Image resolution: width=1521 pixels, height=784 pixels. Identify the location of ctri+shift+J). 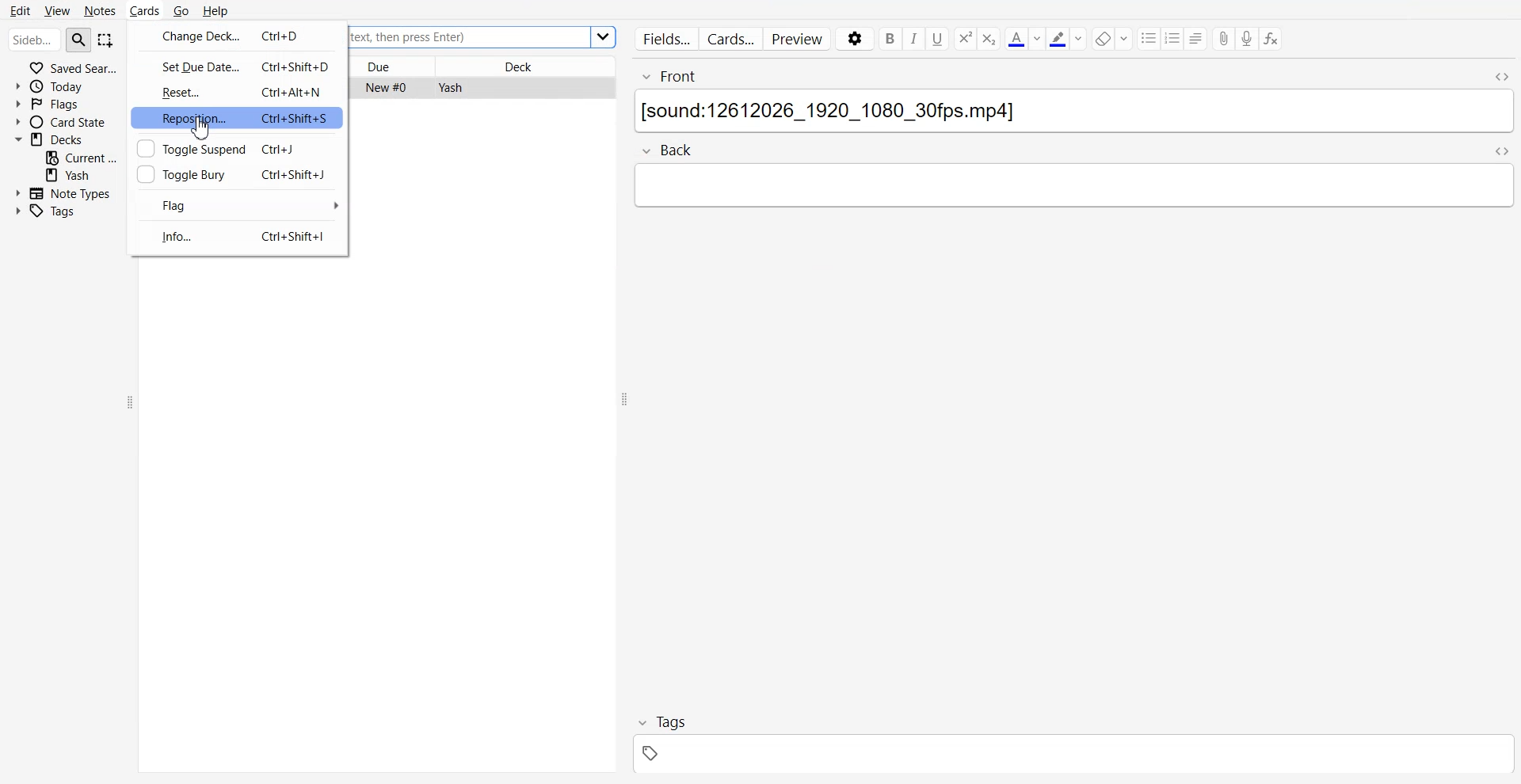
(295, 175).